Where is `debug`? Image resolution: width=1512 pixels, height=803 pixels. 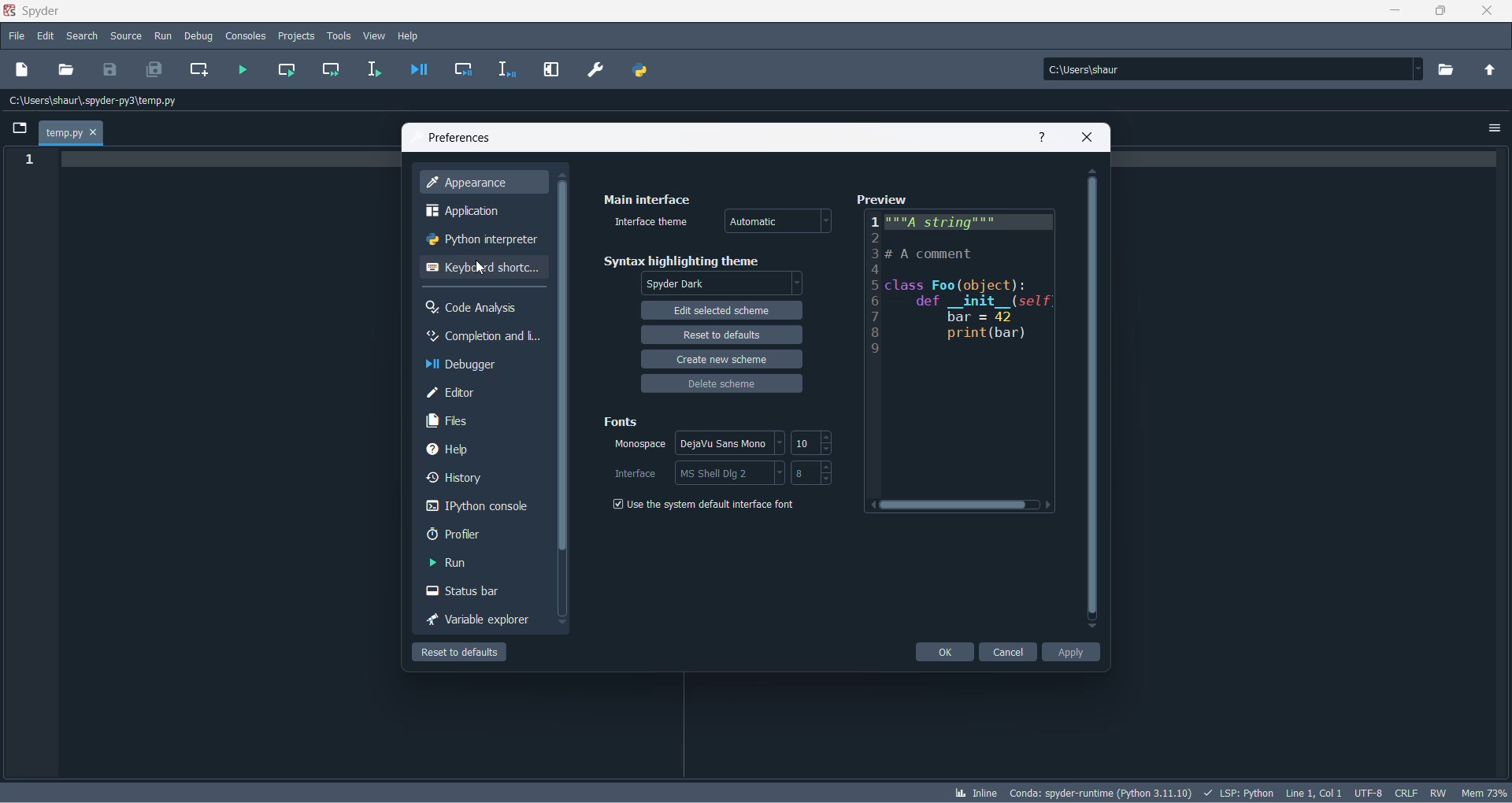
debug is located at coordinates (202, 36).